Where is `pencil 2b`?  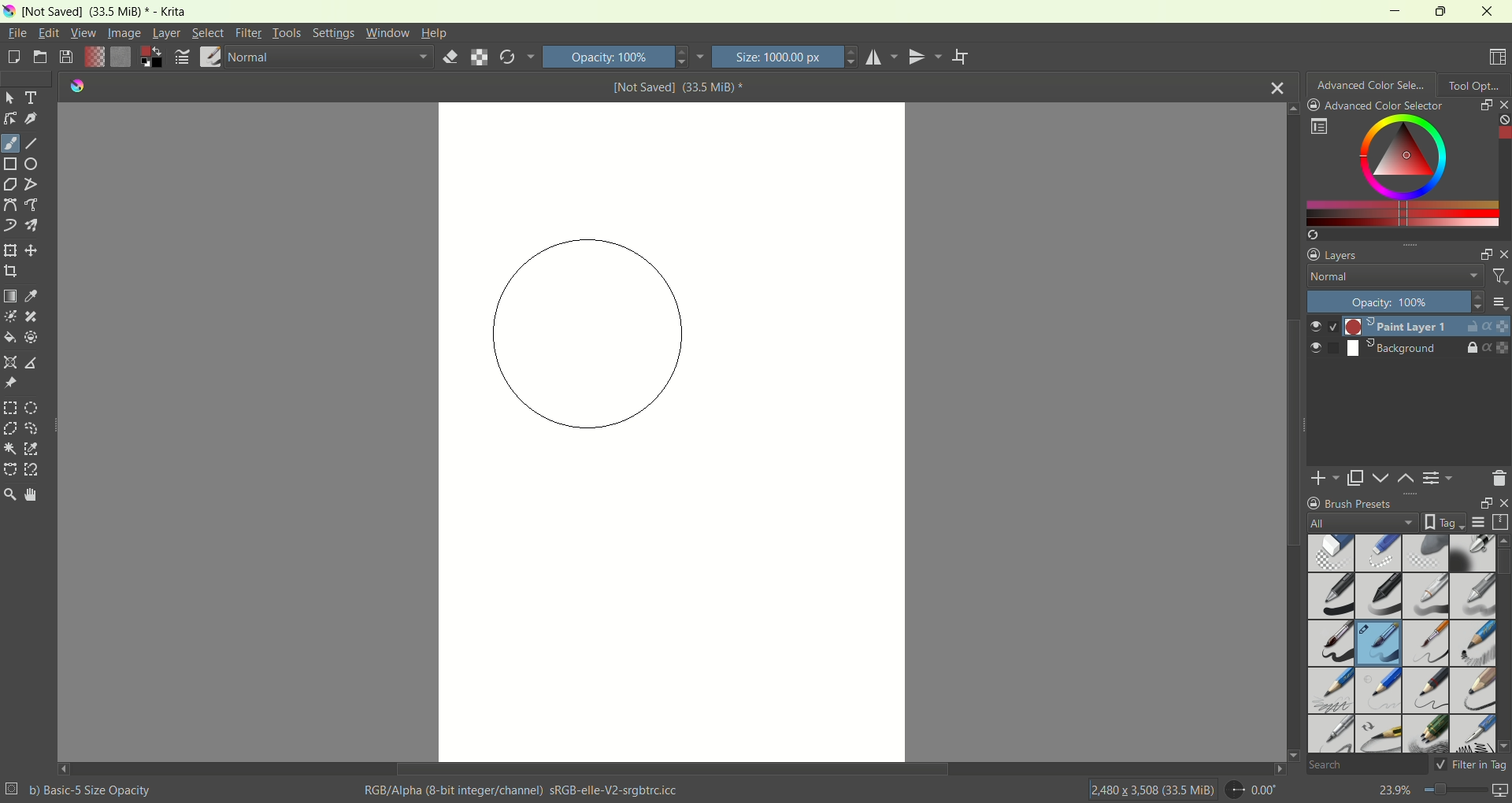 pencil 2b is located at coordinates (1329, 692).